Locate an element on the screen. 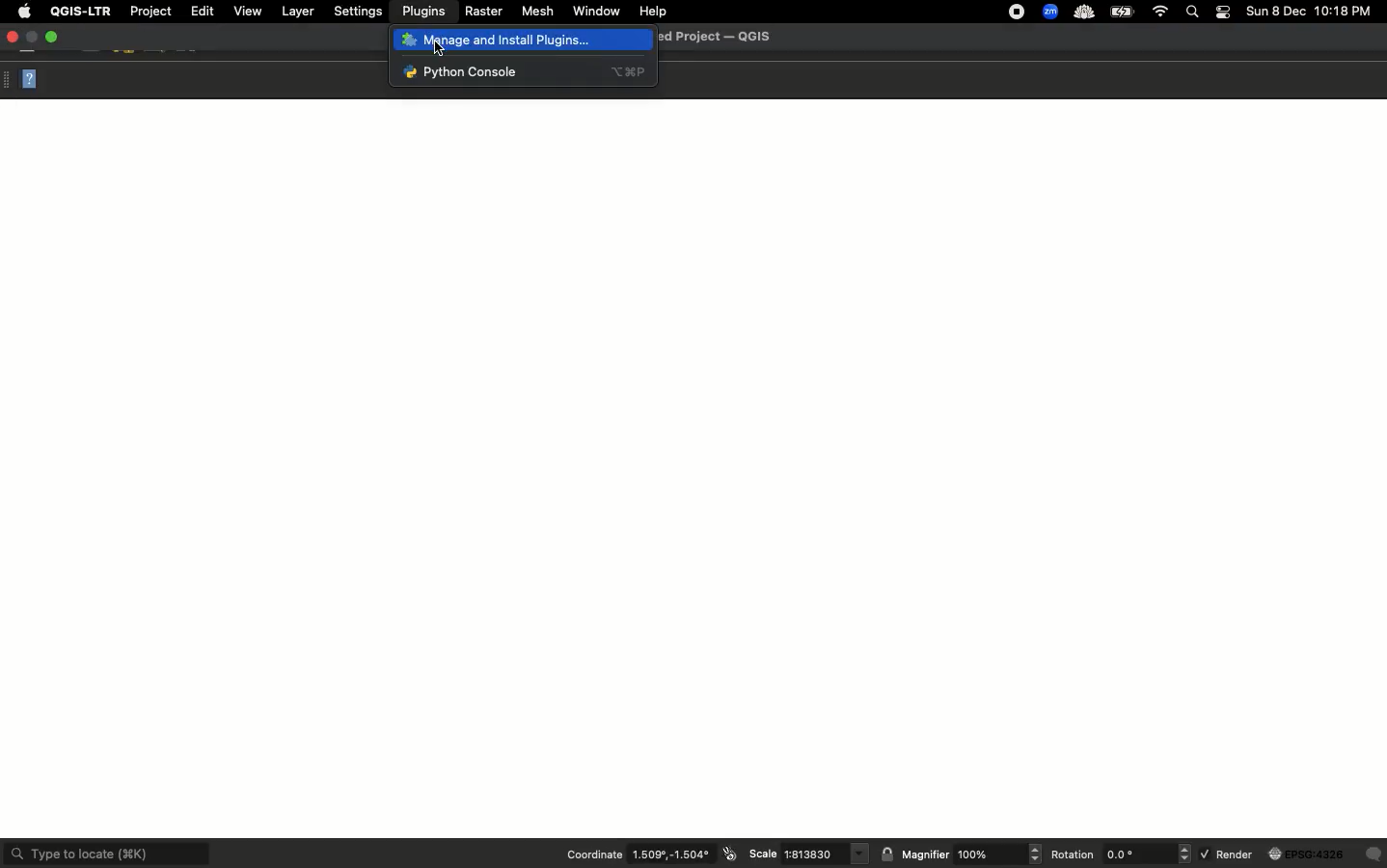 This screenshot has height=868, width=1387. Notification is located at coordinates (1226, 13).